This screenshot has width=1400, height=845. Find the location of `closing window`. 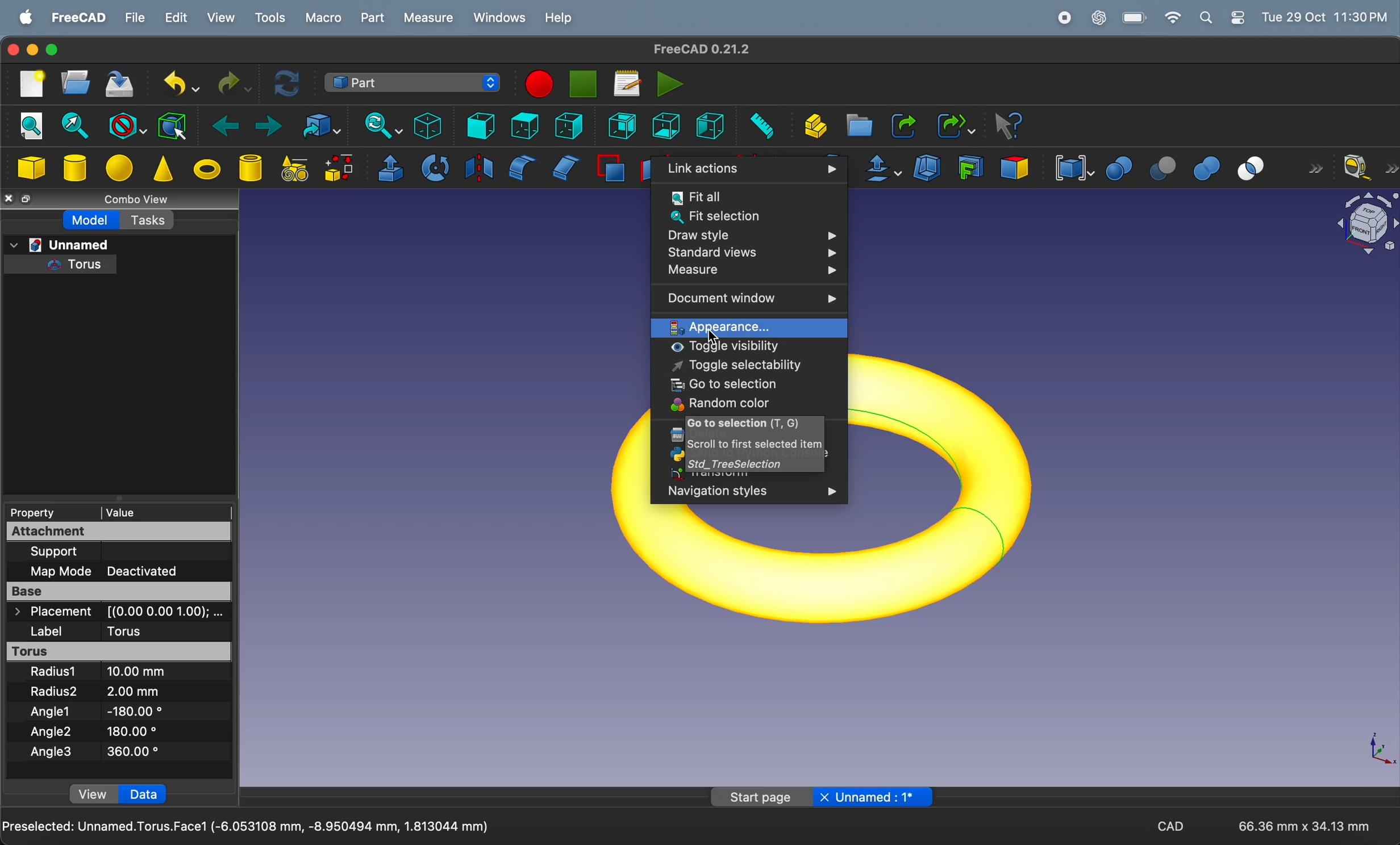

closing window is located at coordinates (14, 49).